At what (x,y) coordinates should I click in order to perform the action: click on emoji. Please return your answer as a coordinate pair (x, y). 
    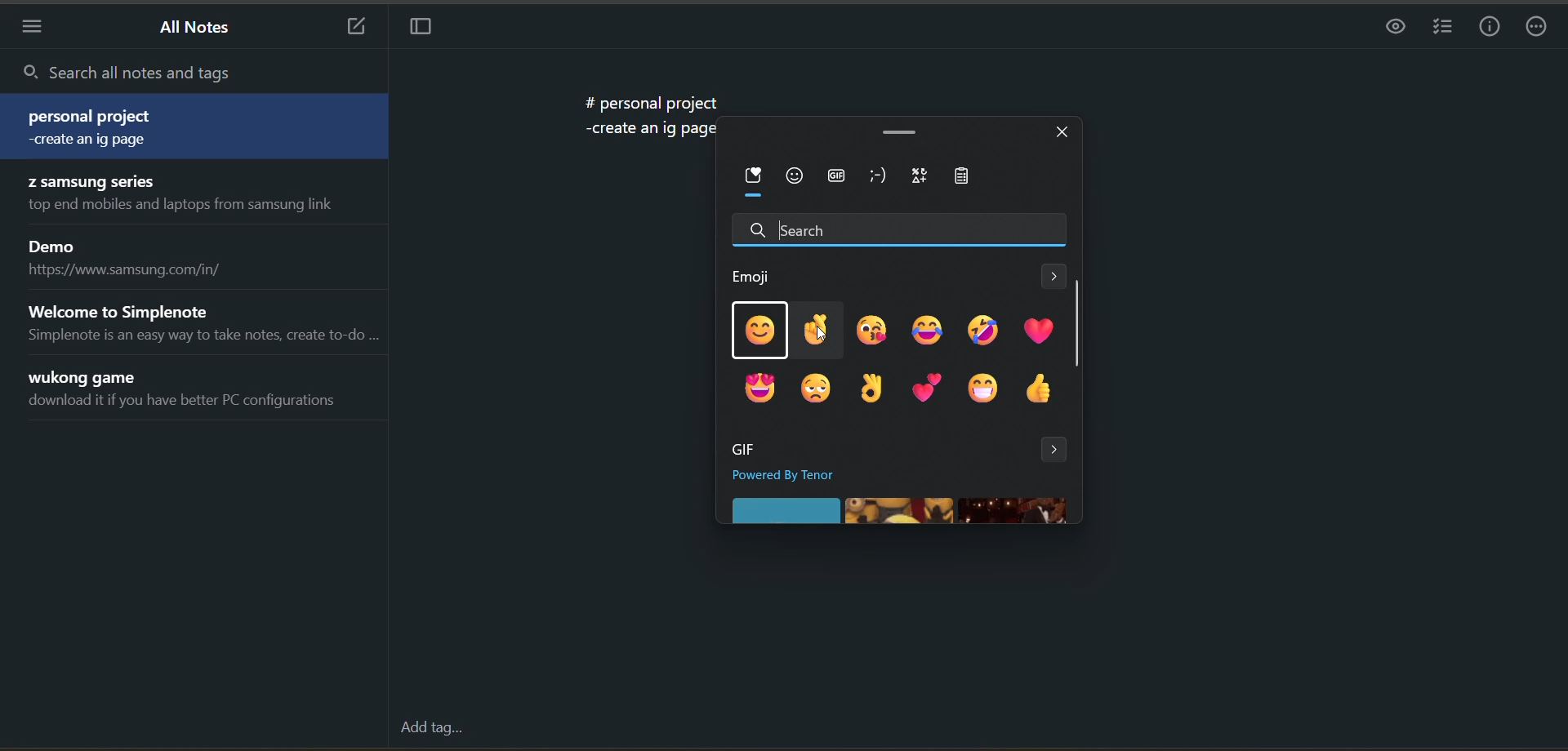
    Looking at the image, I should click on (754, 278).